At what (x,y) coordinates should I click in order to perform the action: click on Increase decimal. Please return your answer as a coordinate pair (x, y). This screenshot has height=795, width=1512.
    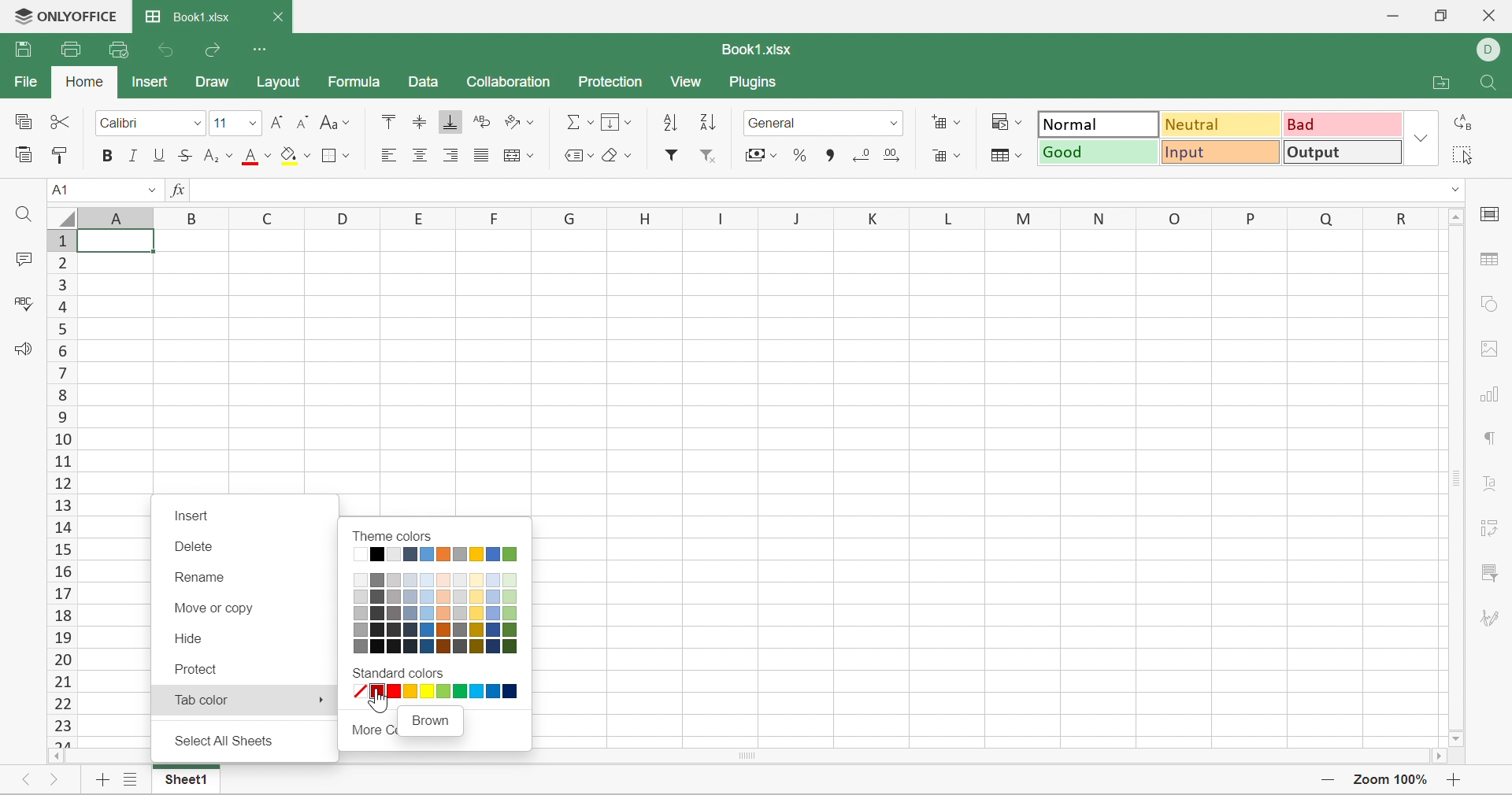
    Looking at the image, I should click on (891, 154).